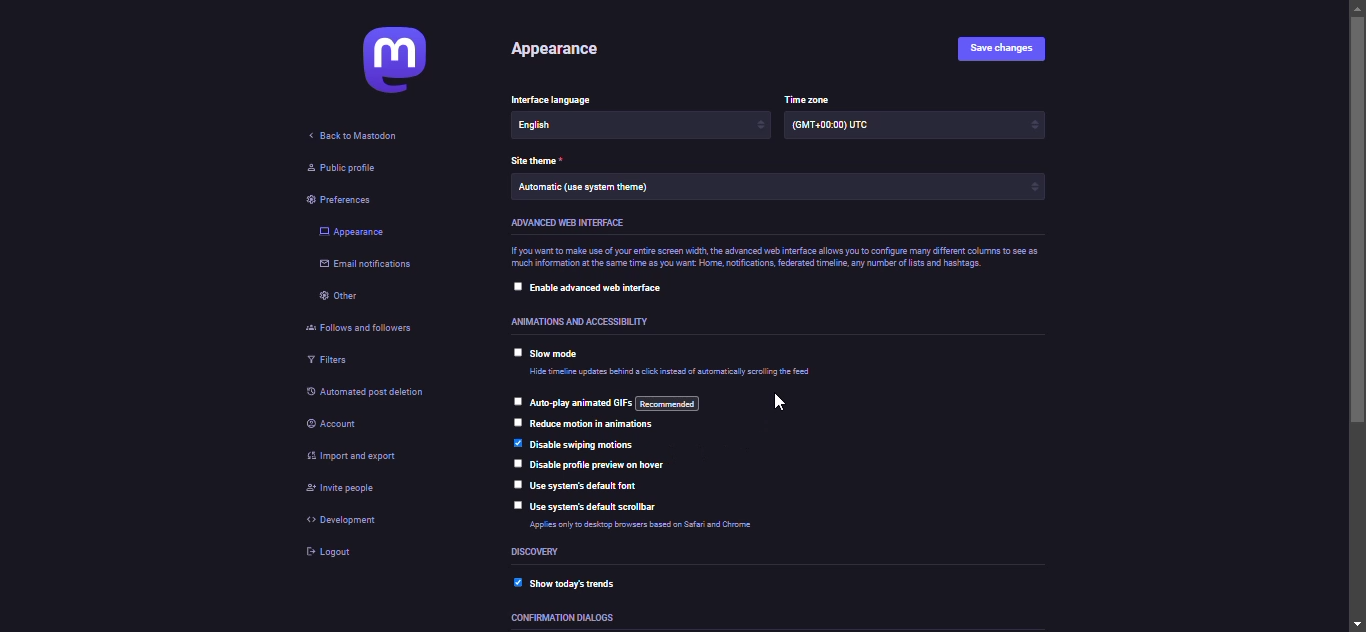 Image resolution: width=1366 pixels, height=632 pixels. I want to click on slow mode, so click(563, 354).